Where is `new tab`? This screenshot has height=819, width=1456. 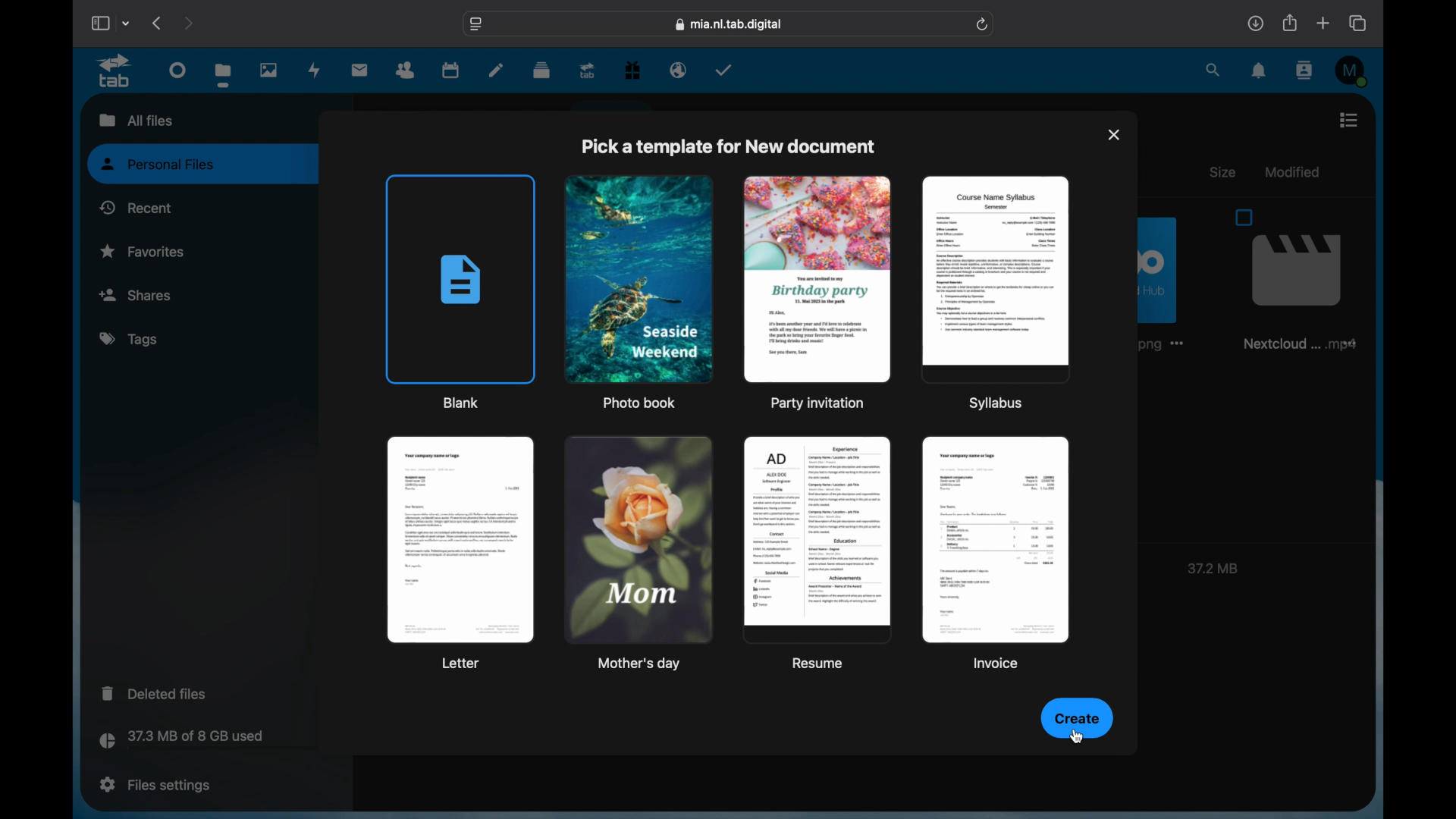
new tab is located at coordinates (1323, 23).